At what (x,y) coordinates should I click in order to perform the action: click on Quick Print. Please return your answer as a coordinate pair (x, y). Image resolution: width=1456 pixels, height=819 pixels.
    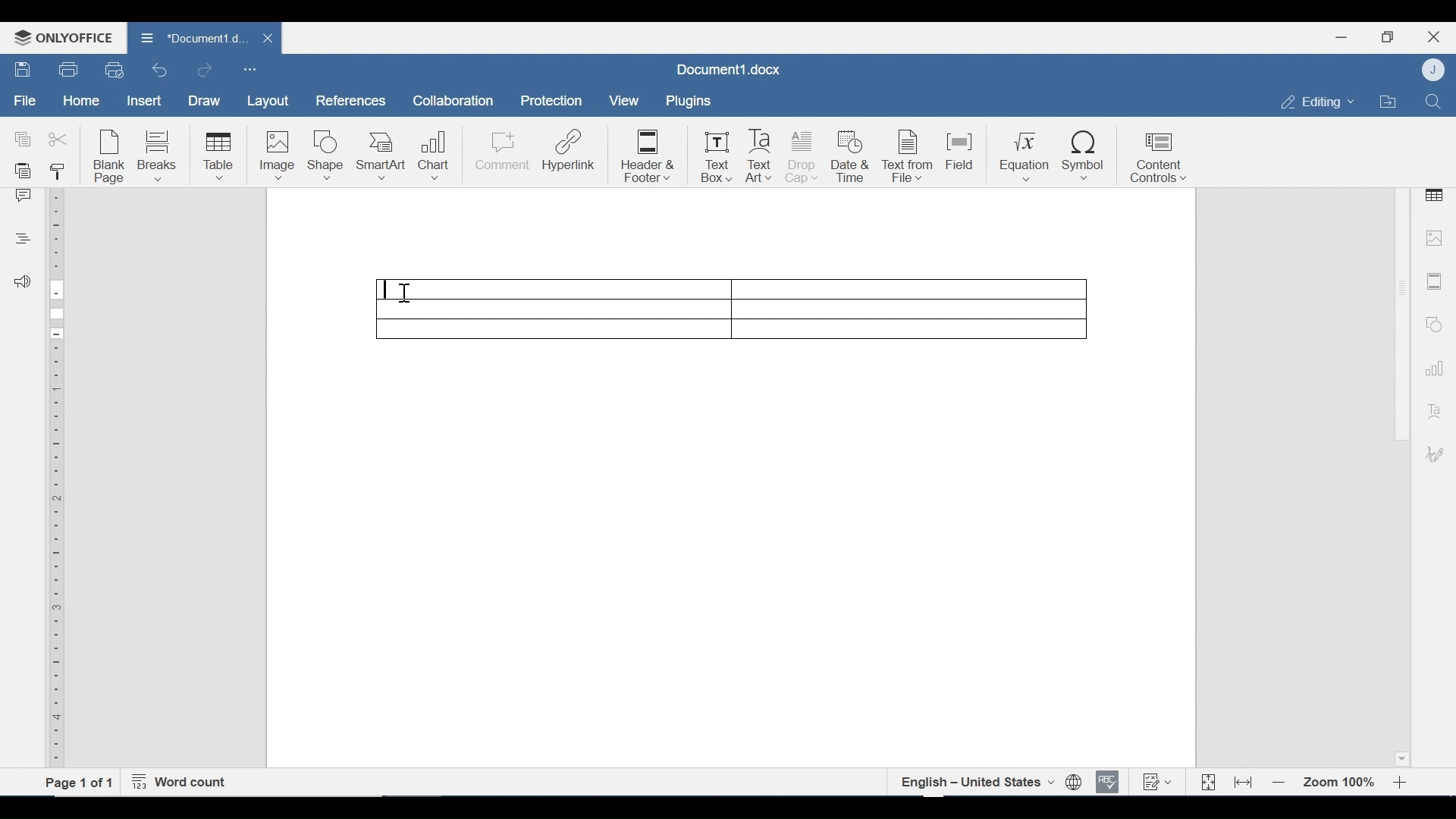
    Looking at the image, I should click on (113, 69).